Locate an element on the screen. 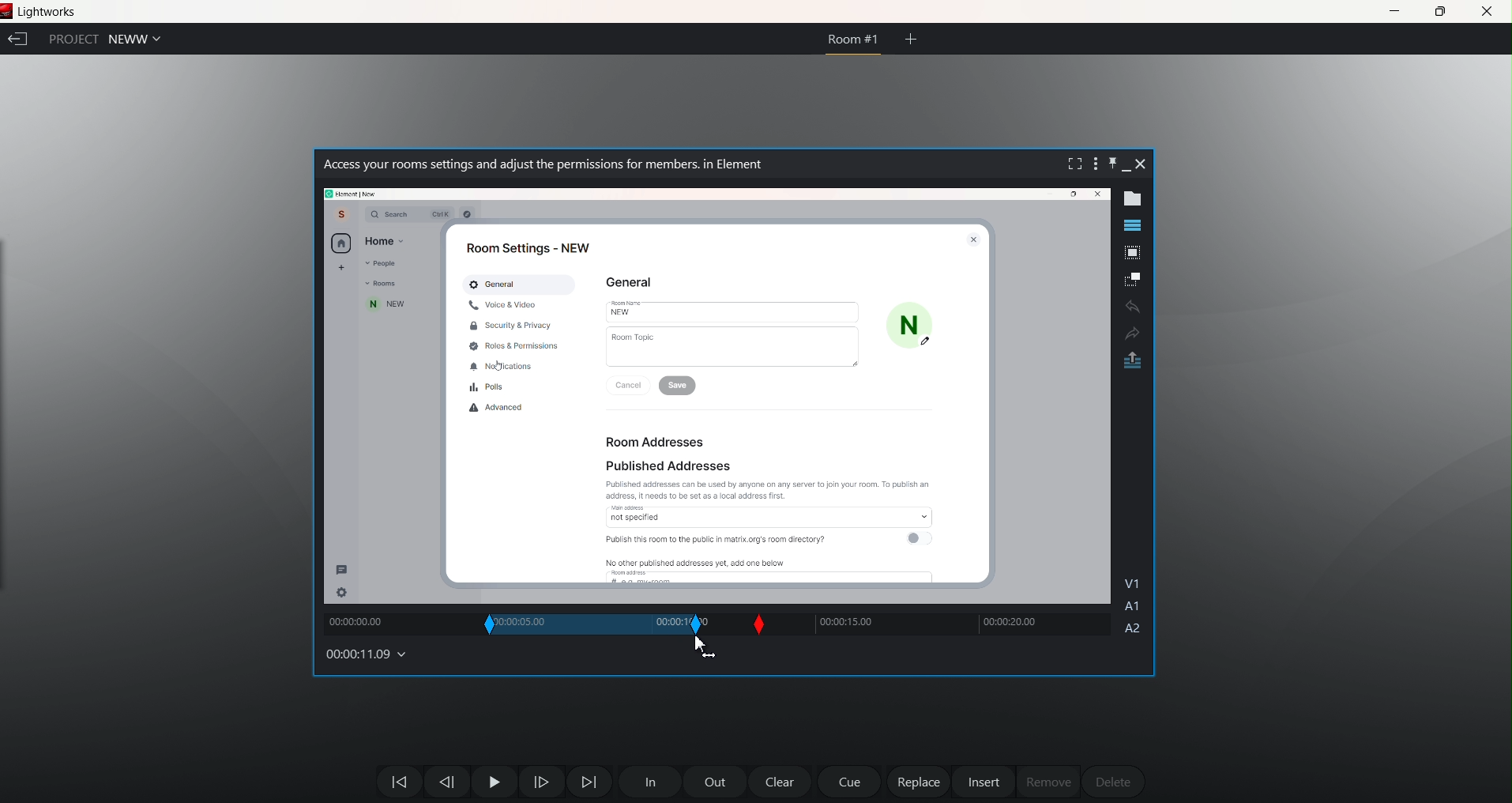 This screenshot has height=803, width=1512. out slip position changed is located at coordinates (698, 624).